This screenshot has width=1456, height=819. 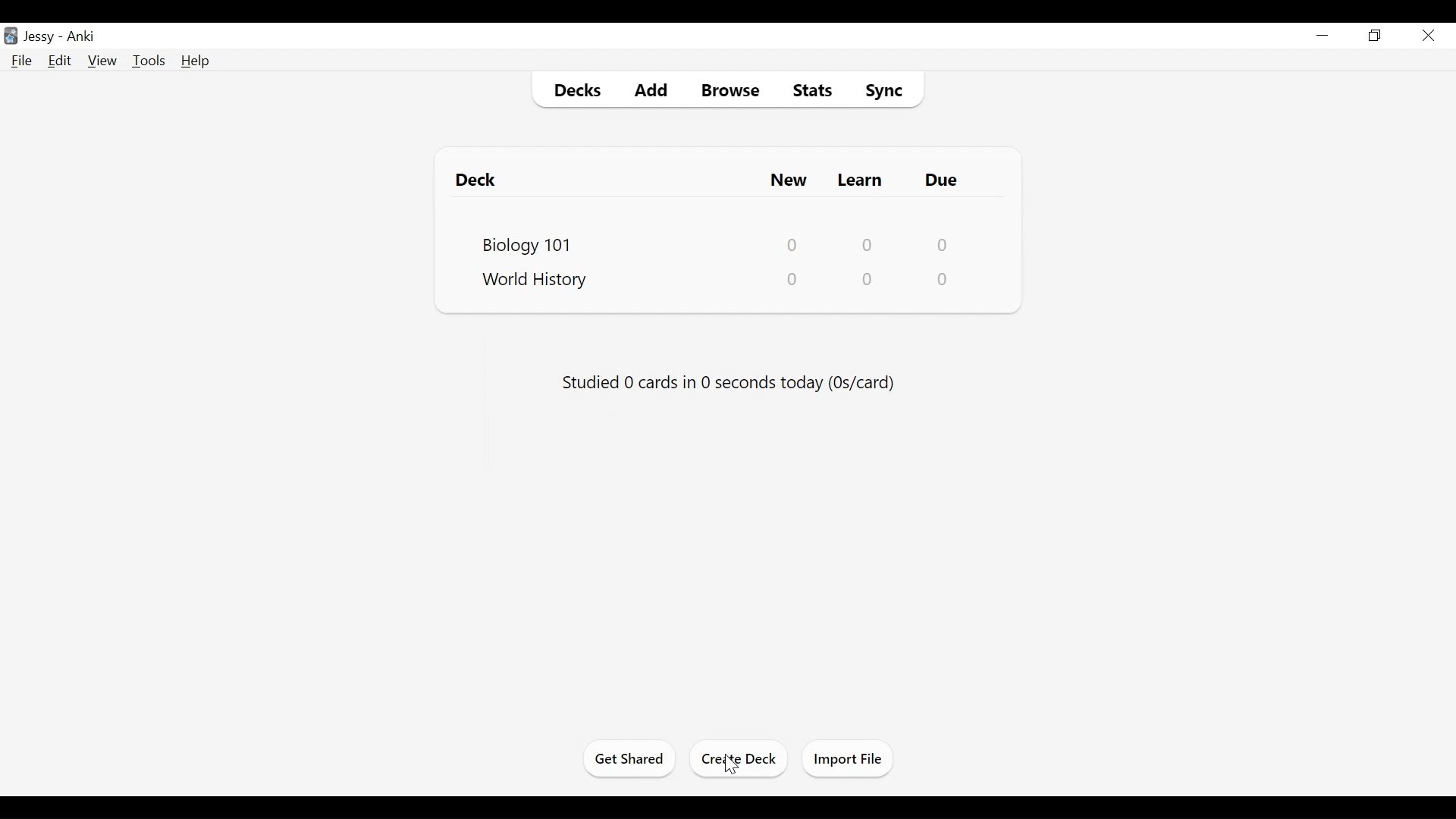 What do you see at coordinates (944, 180) in the screenshot?
I see `Due Card` at bounding box center [944, 180].